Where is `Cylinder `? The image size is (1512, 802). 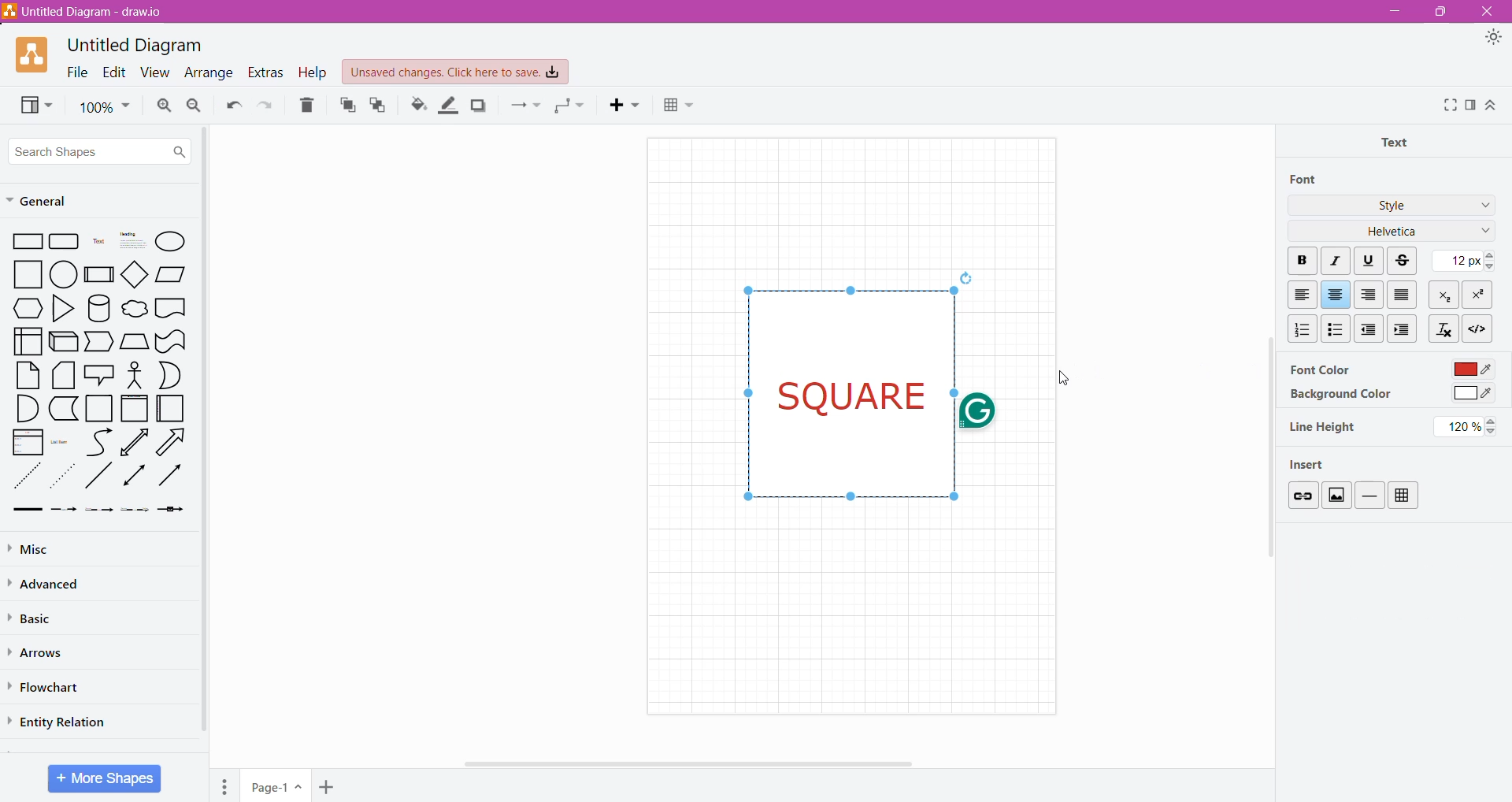
Cylinder  is located at coordinates (99, 308).